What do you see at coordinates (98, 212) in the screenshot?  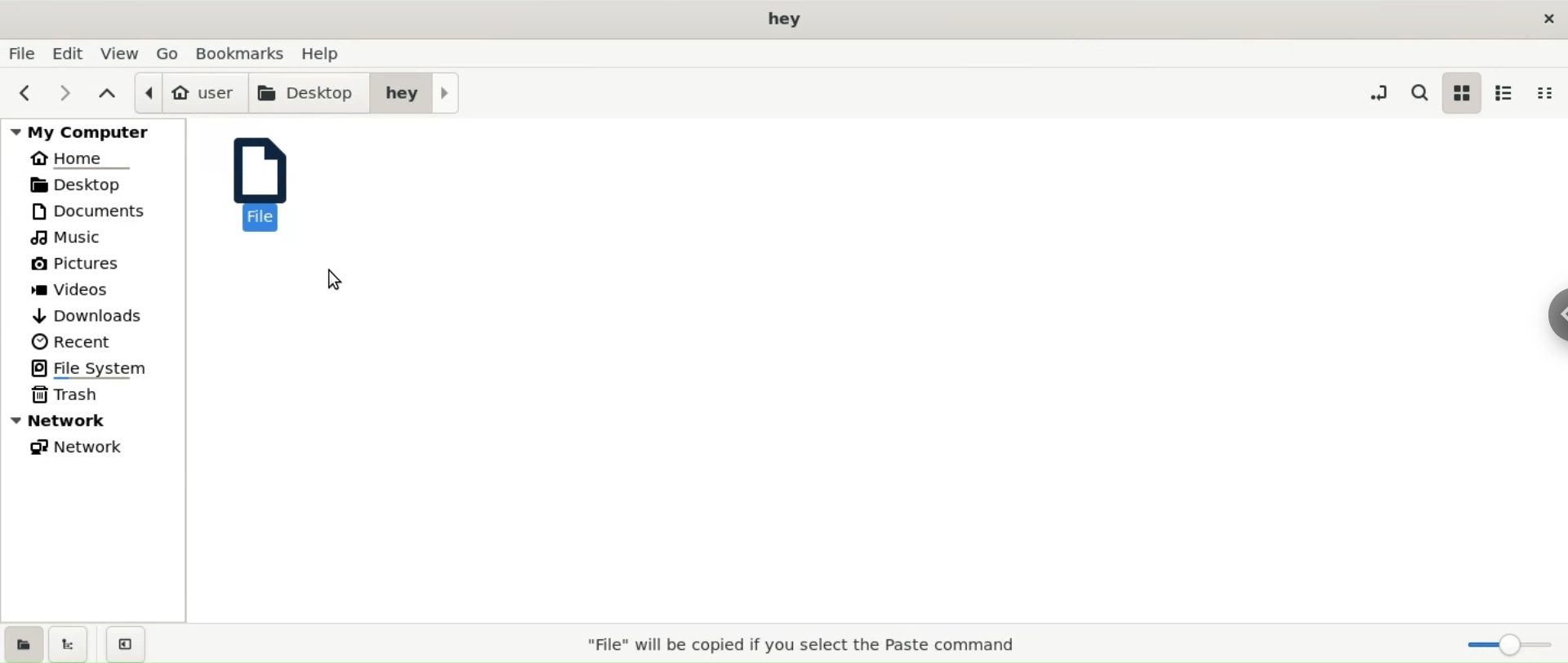 I see `documents` at bounding box center [98, 212].